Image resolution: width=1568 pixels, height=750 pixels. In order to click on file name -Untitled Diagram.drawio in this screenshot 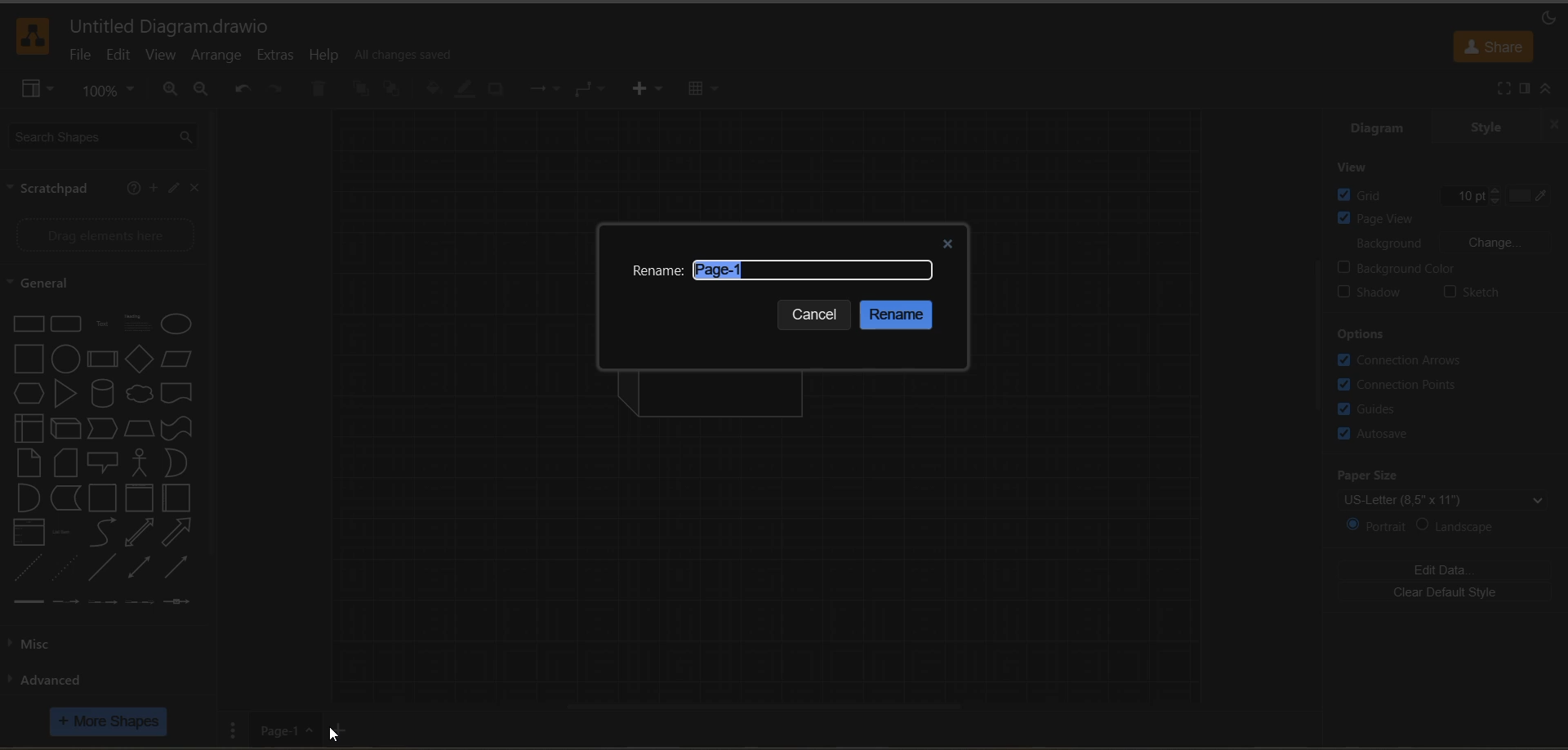, I will do `click(175, 26)`.